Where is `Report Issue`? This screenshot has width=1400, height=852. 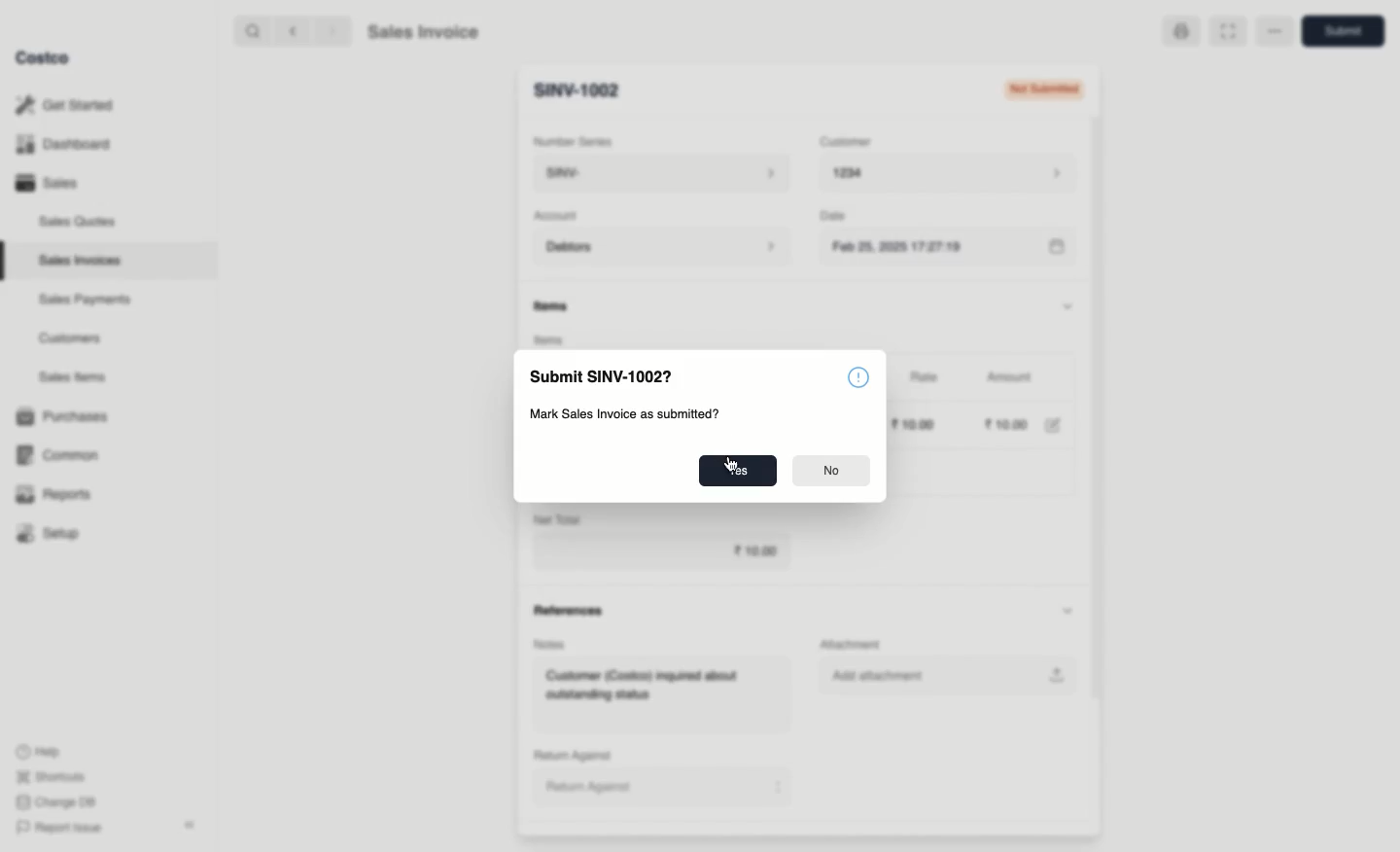
Report Issue is located at coordinates (61, 828).